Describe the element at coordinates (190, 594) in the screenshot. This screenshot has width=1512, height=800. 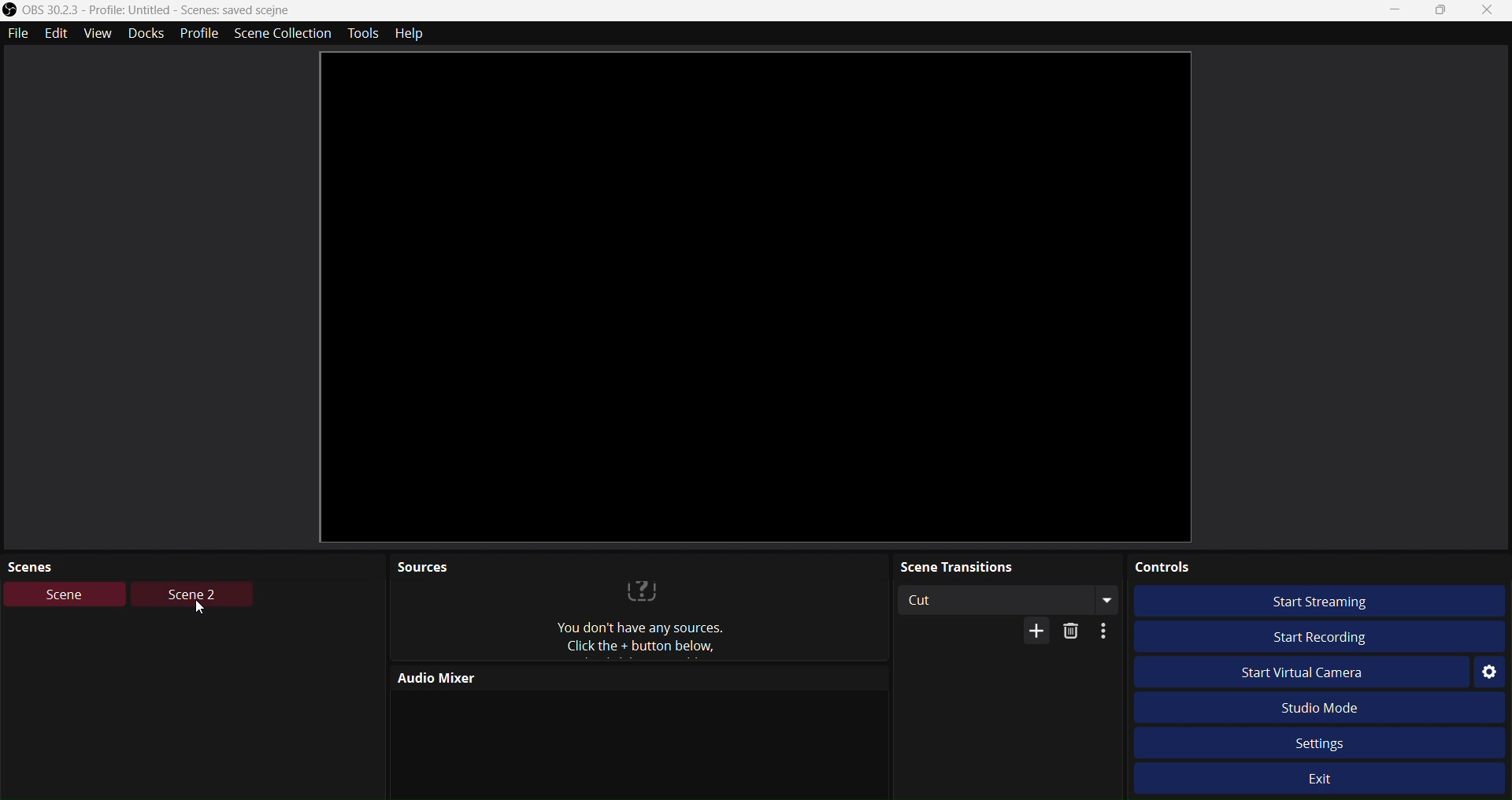
I see `Scene 2` at that location.